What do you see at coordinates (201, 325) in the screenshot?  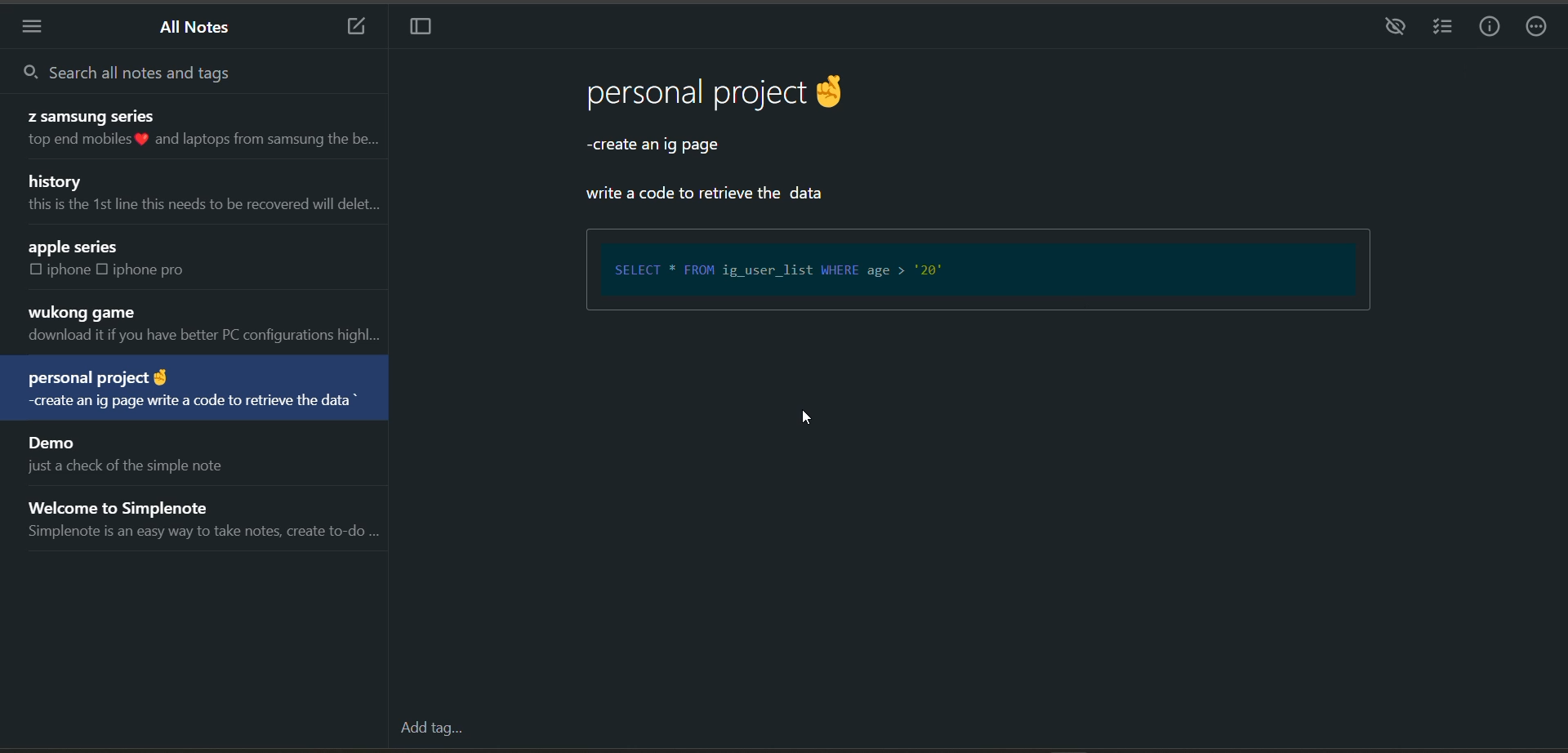 I see `note title  and preview` at bounding box center [201, 325].